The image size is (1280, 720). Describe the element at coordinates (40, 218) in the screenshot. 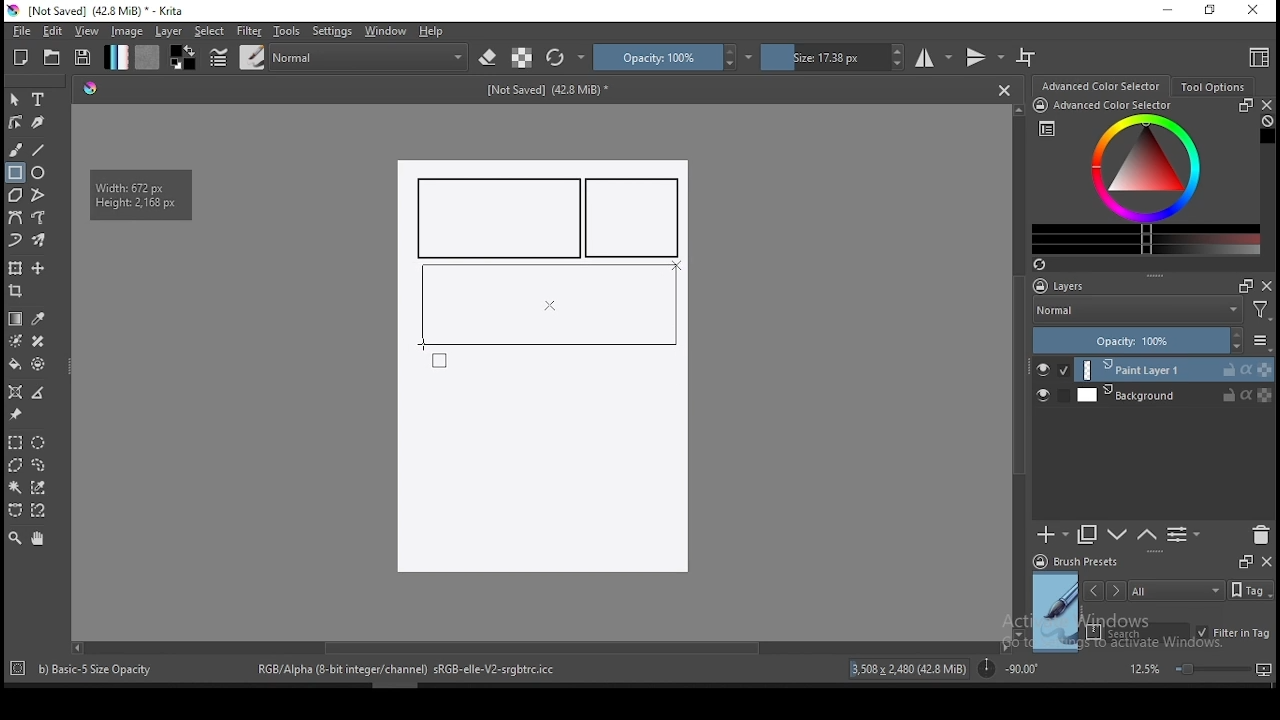

I see `freehand path tool` at that location.